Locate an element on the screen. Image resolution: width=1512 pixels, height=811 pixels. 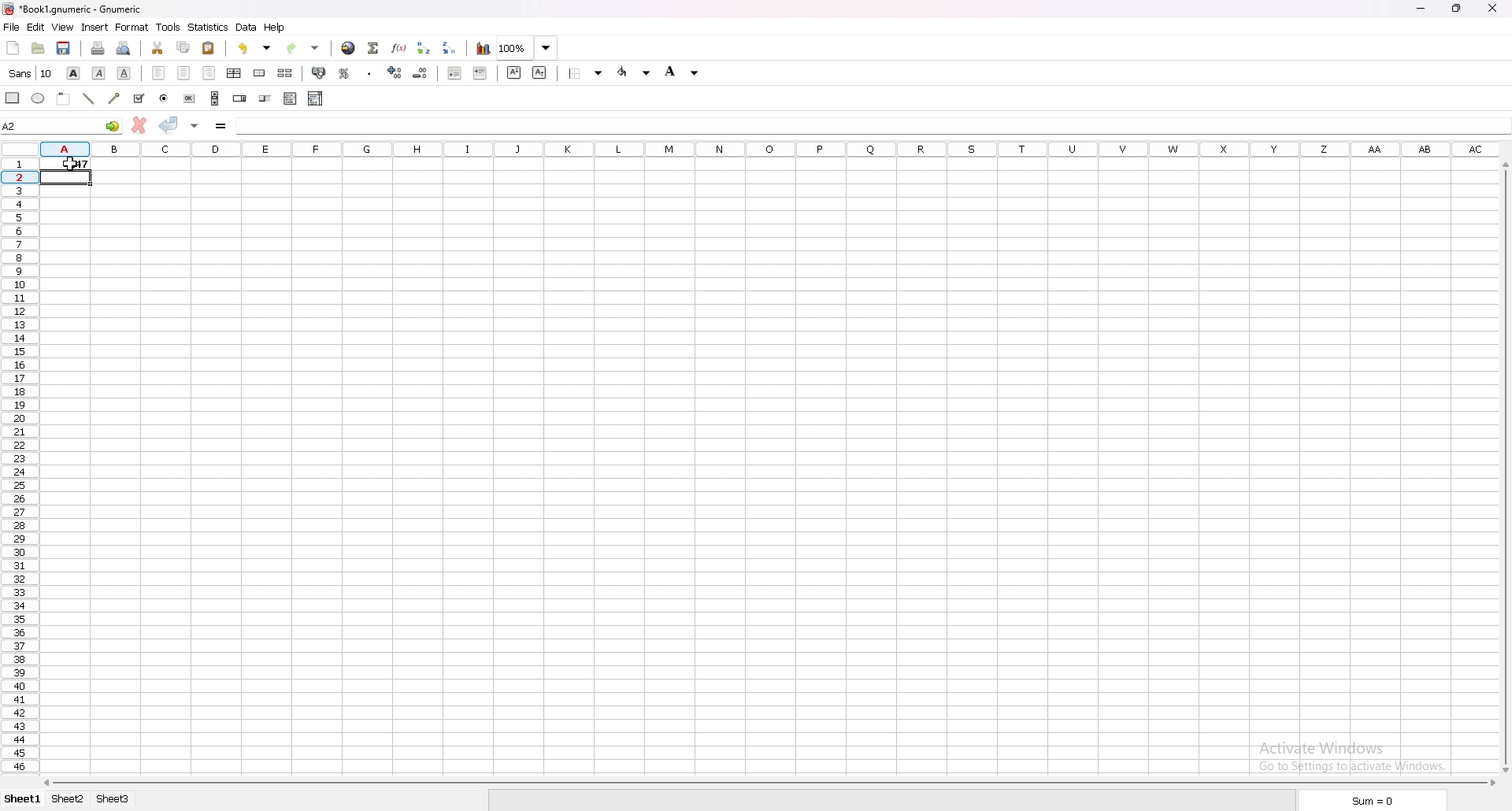
cancel changes is located at coordinates (142, 125).